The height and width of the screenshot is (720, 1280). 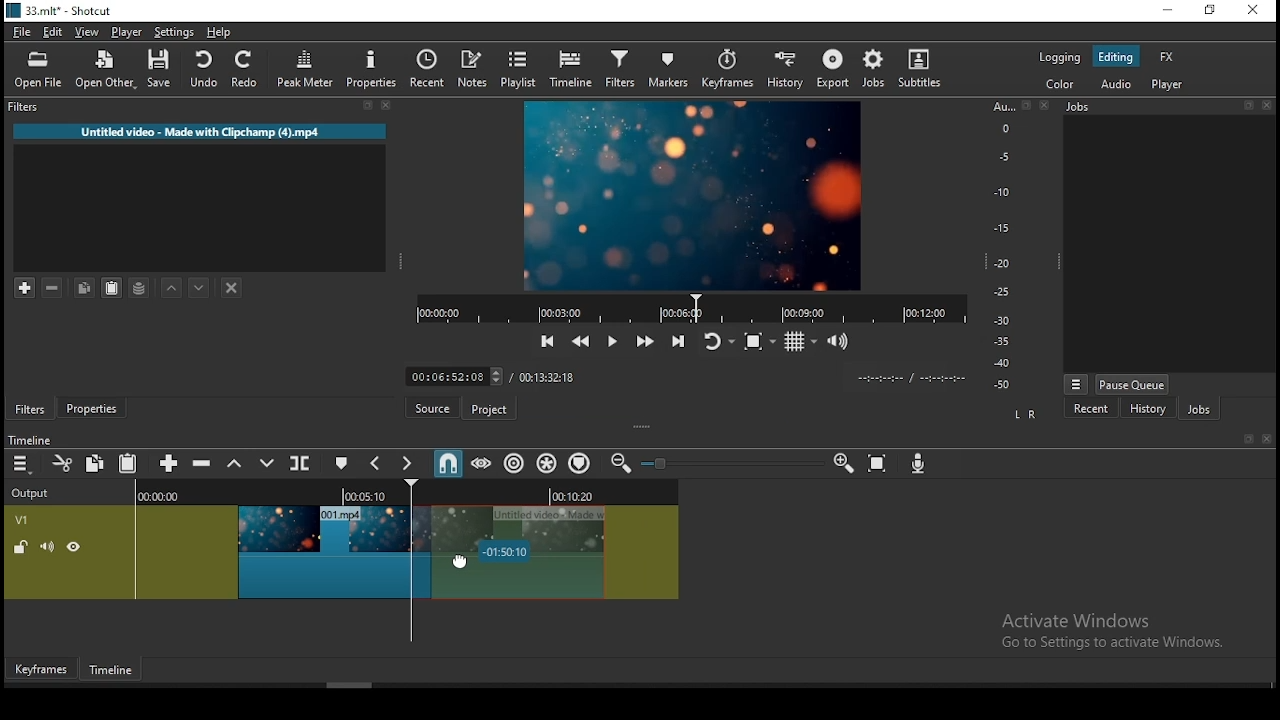 I want to click on time format, so click(x=911, y=377).